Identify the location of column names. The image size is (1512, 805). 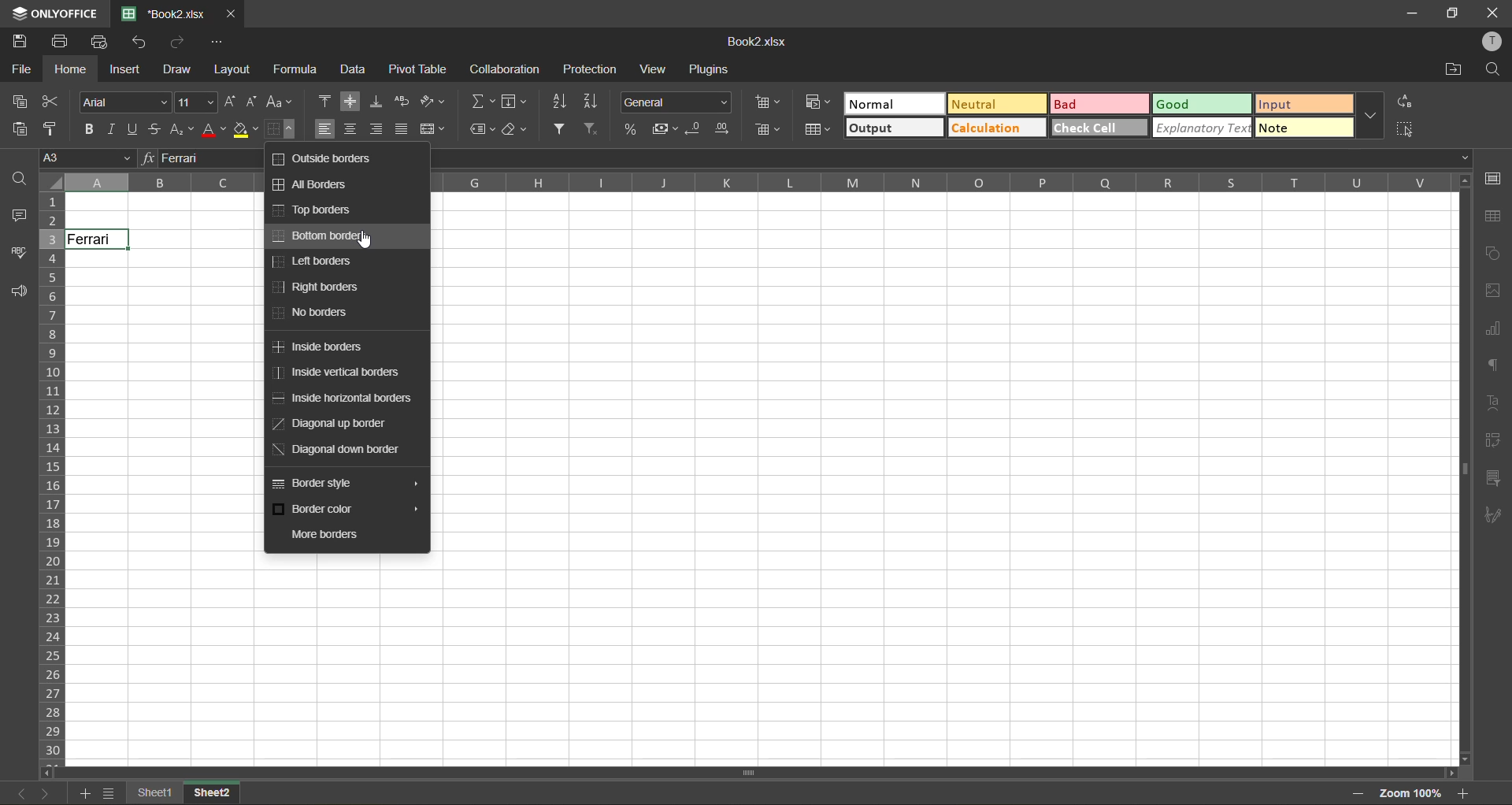
(940, 183).